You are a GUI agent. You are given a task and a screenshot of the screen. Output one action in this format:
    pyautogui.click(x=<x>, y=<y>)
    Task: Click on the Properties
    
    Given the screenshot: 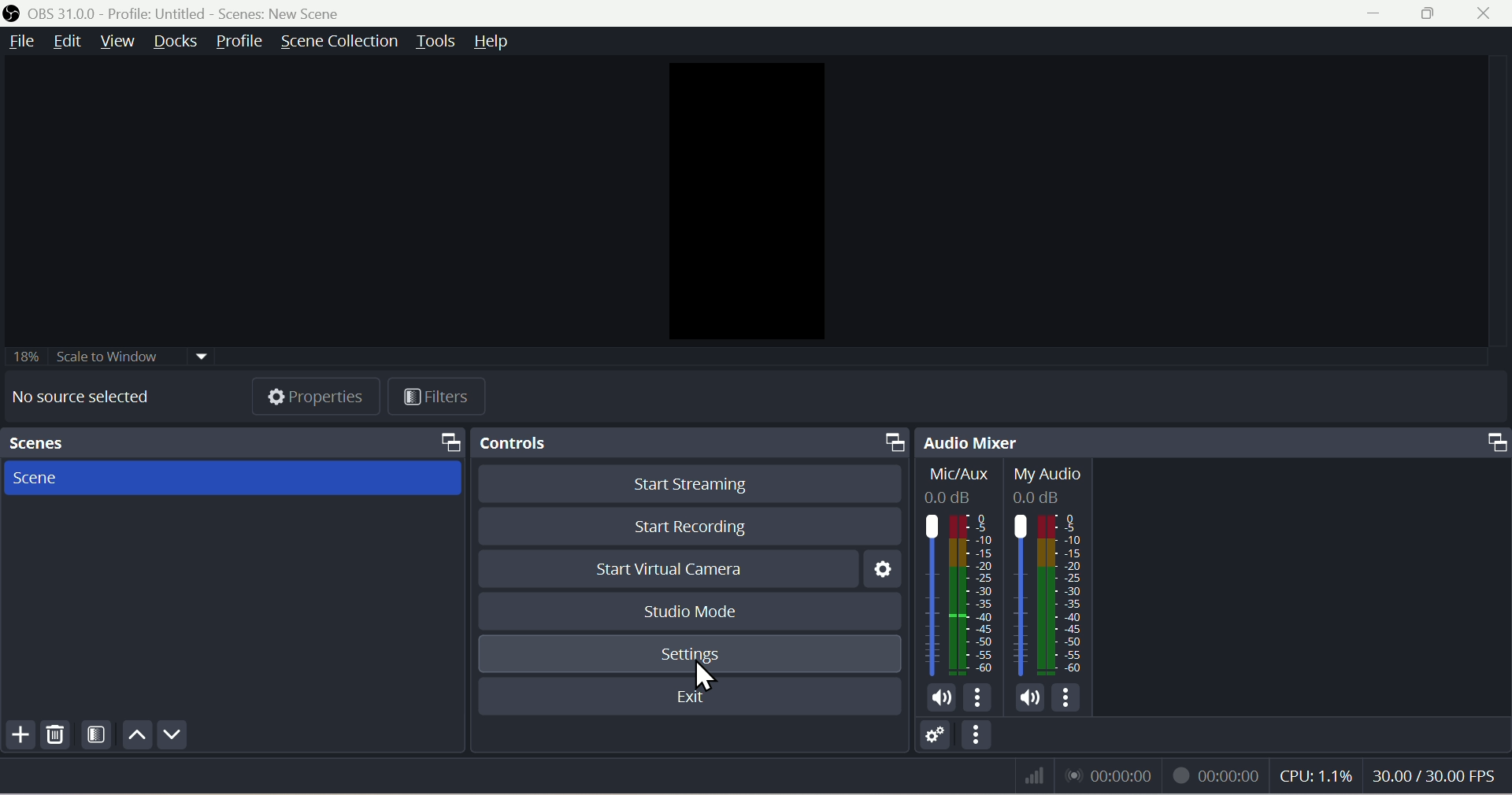 What is the action you would take?
    pyautogui.click(x=316, y=396)
    